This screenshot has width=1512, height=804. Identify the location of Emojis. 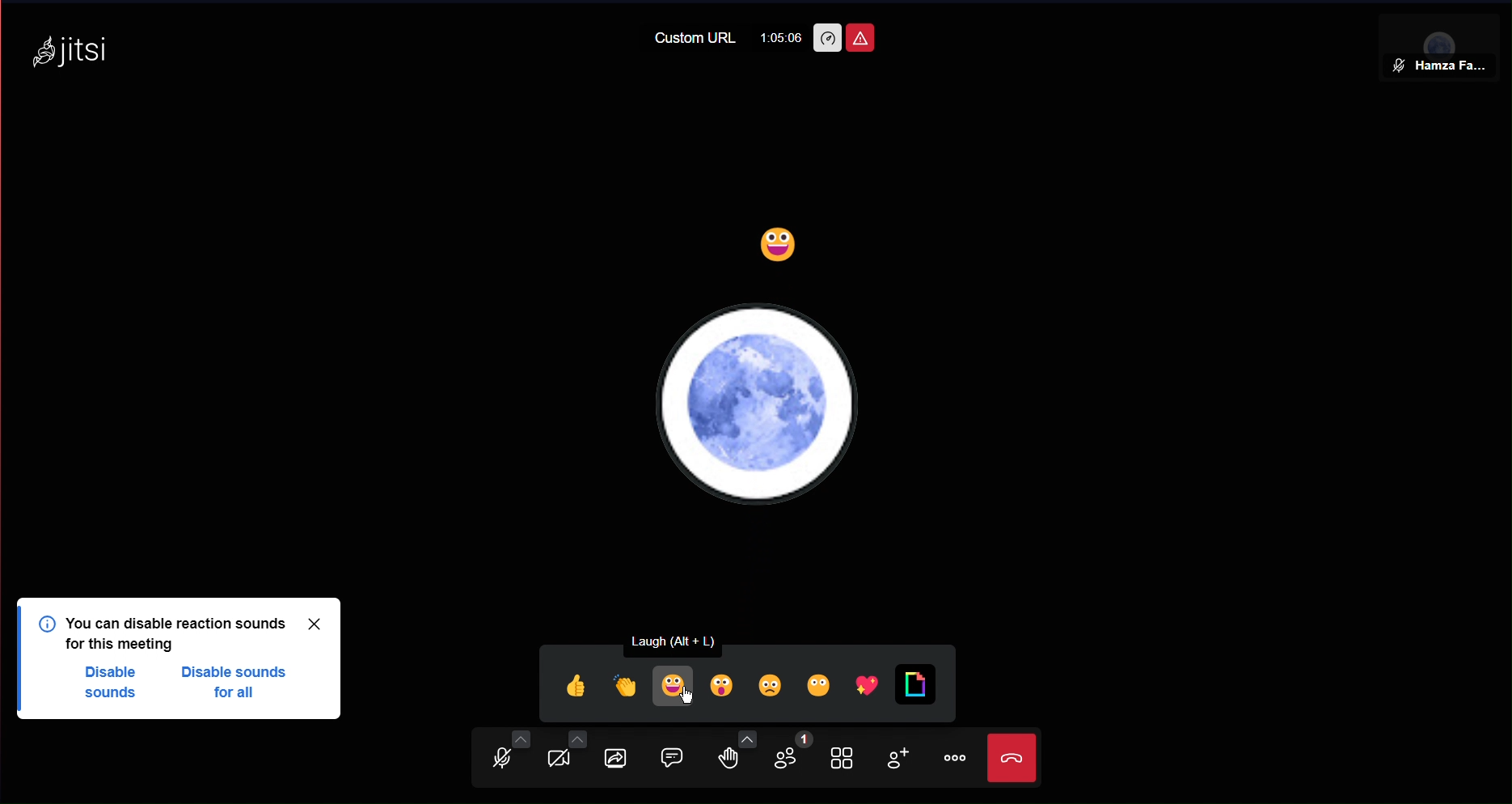
(741, 682).